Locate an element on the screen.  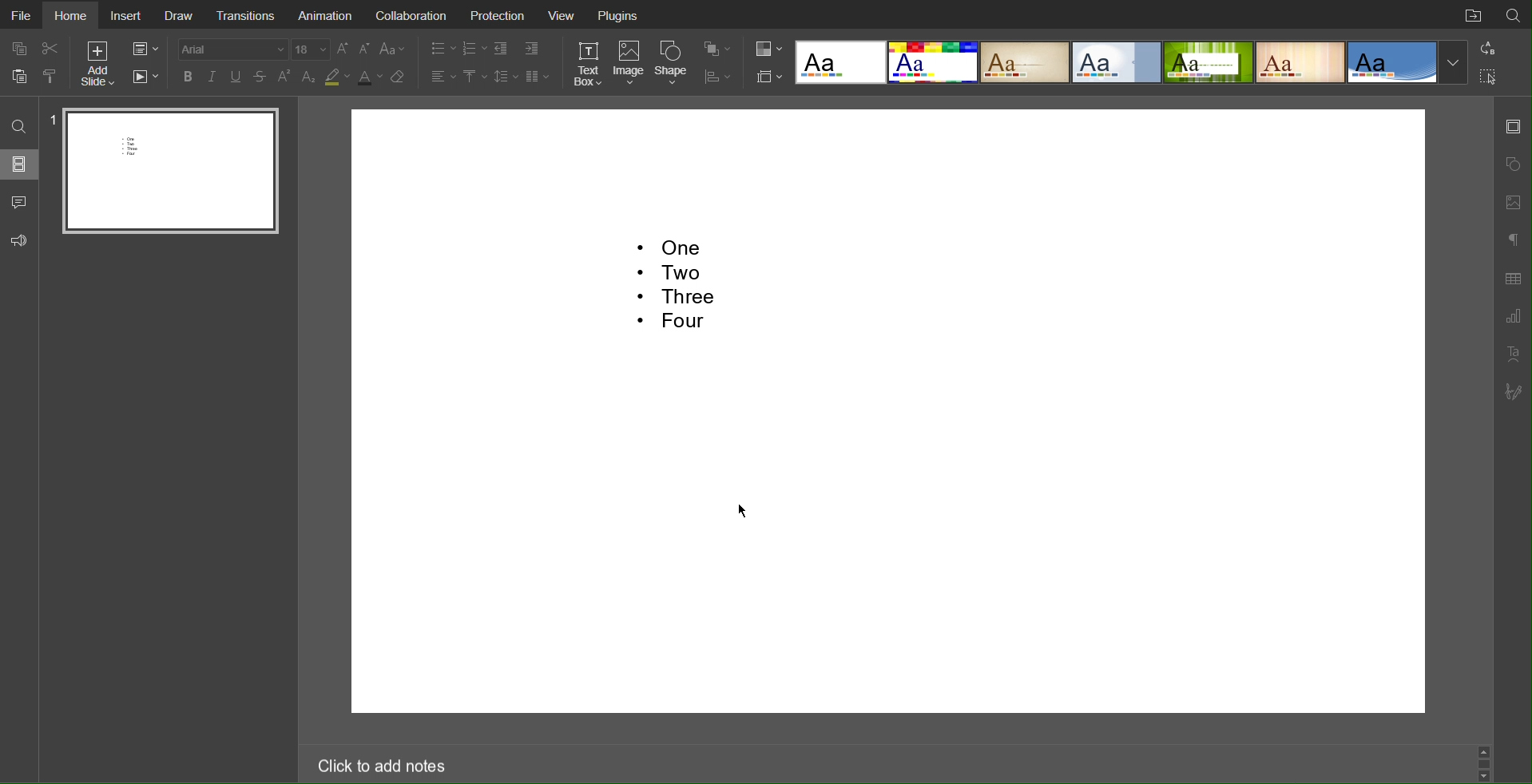
Text - One Two Three Four is located at coordinates (674, 291).